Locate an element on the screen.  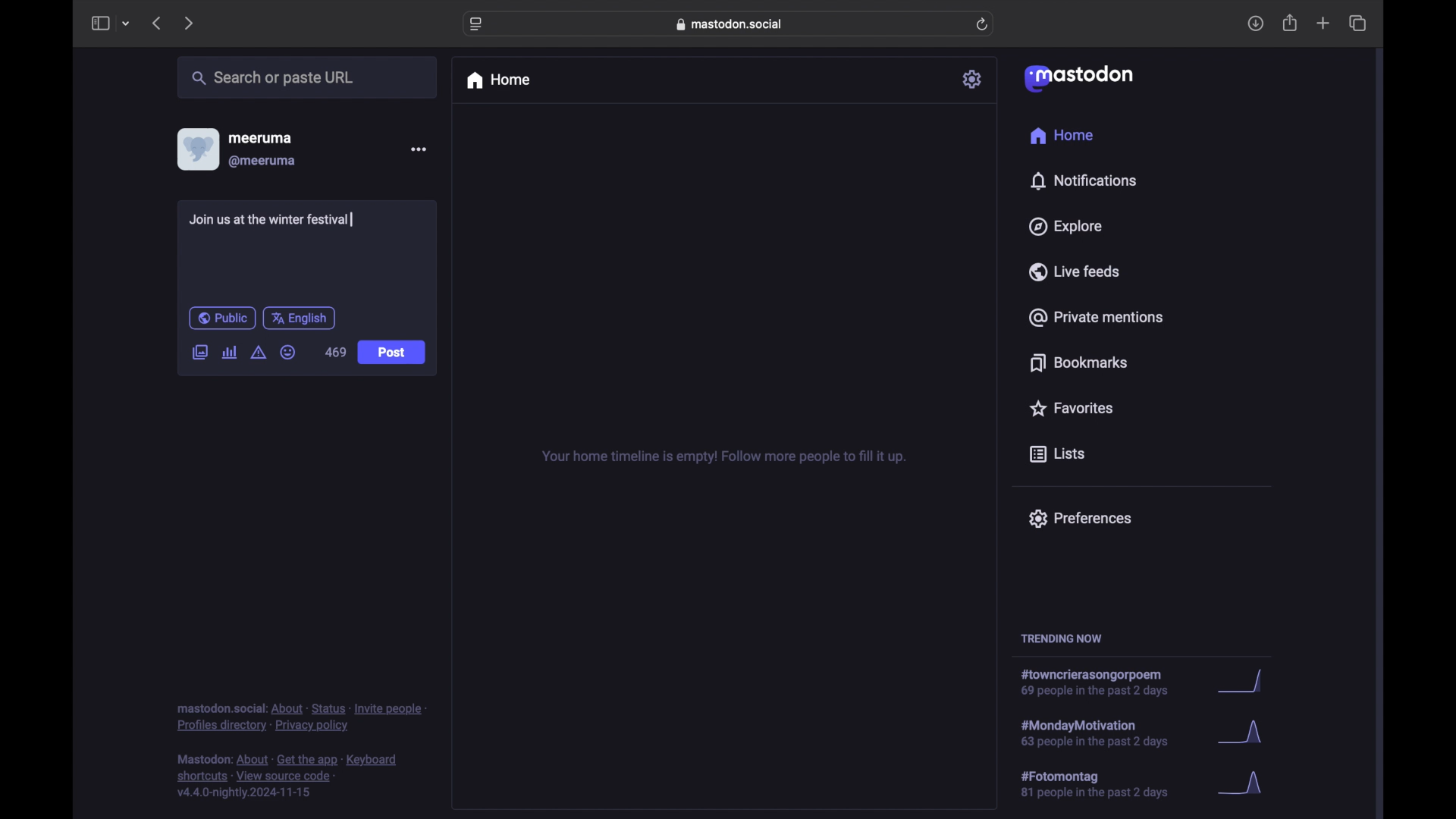
new tab is located at coordinates (1323, 23).